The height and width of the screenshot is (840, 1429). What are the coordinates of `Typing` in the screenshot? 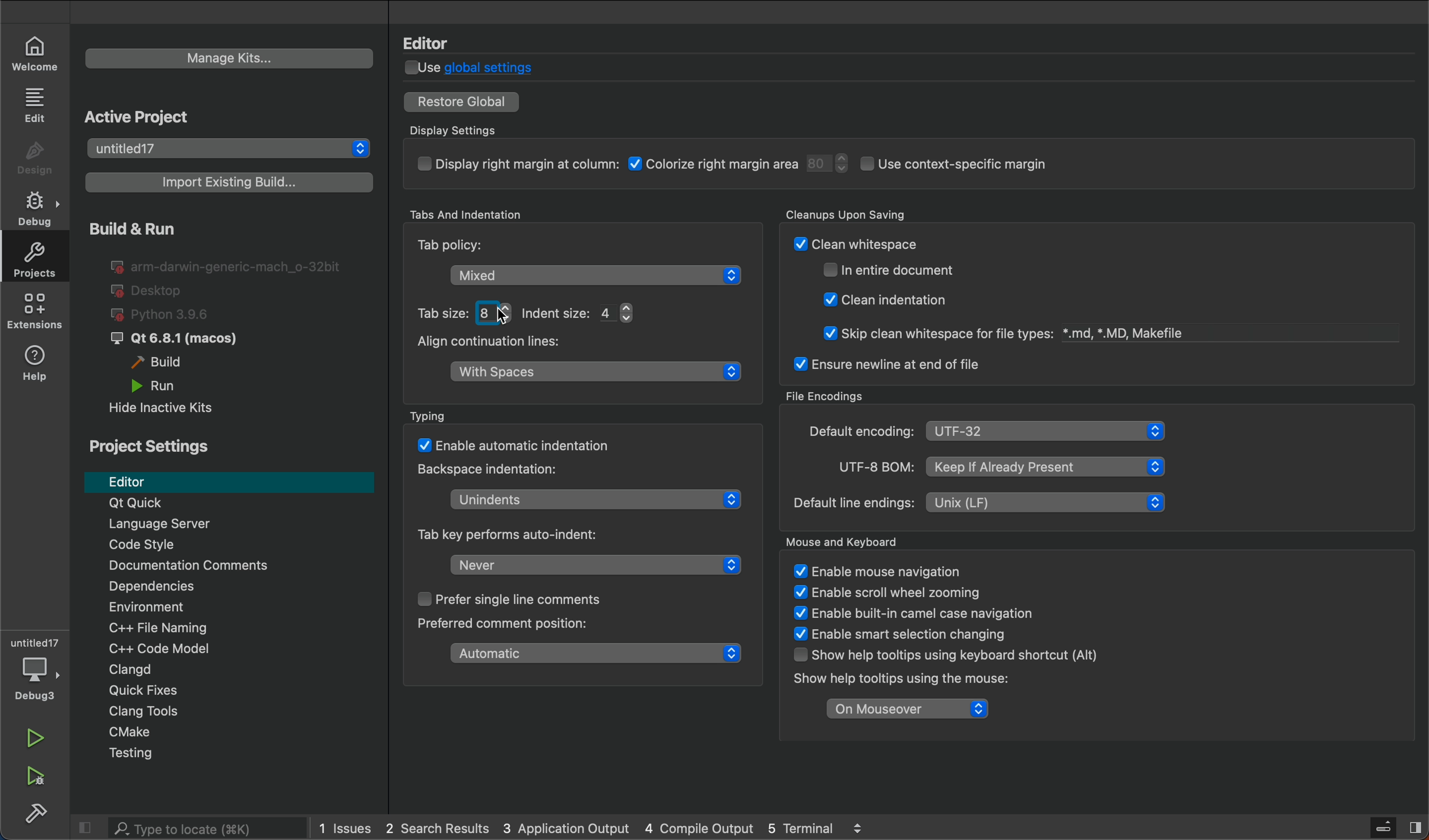 It's located at (477, 411).